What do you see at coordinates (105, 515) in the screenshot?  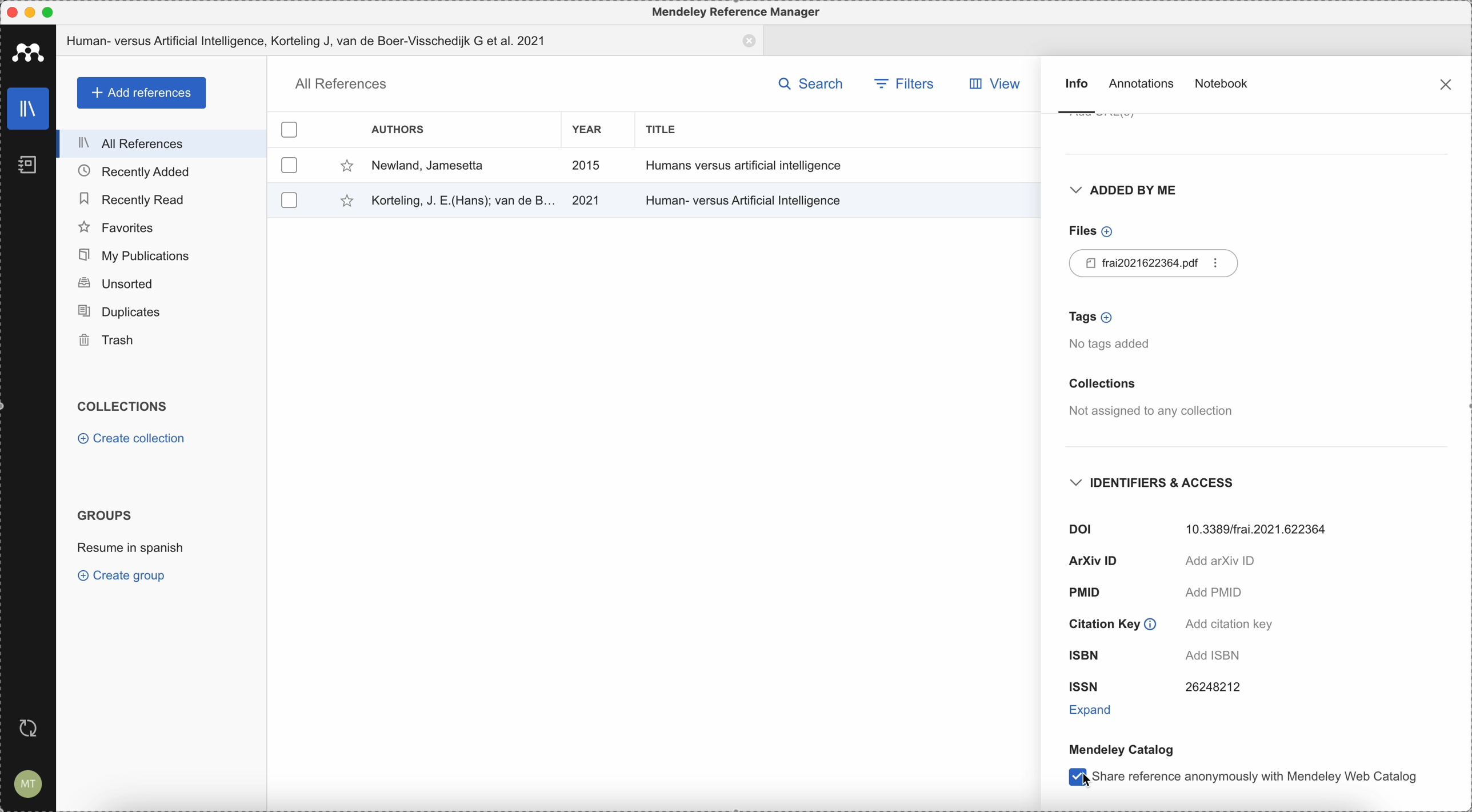 I see `groups` at bounding box center [105, 515].